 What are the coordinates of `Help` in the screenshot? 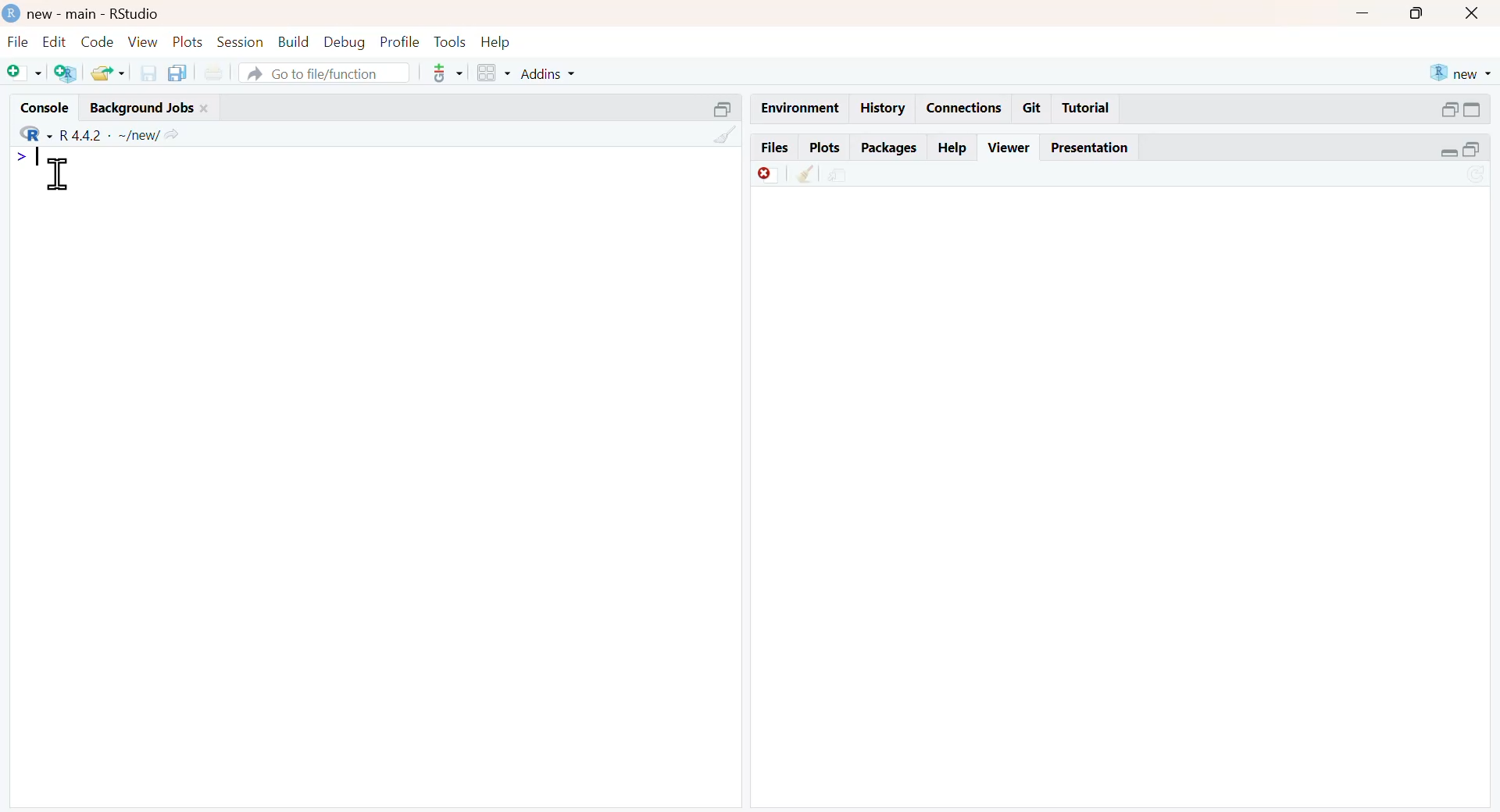 It's located at (950, 148).